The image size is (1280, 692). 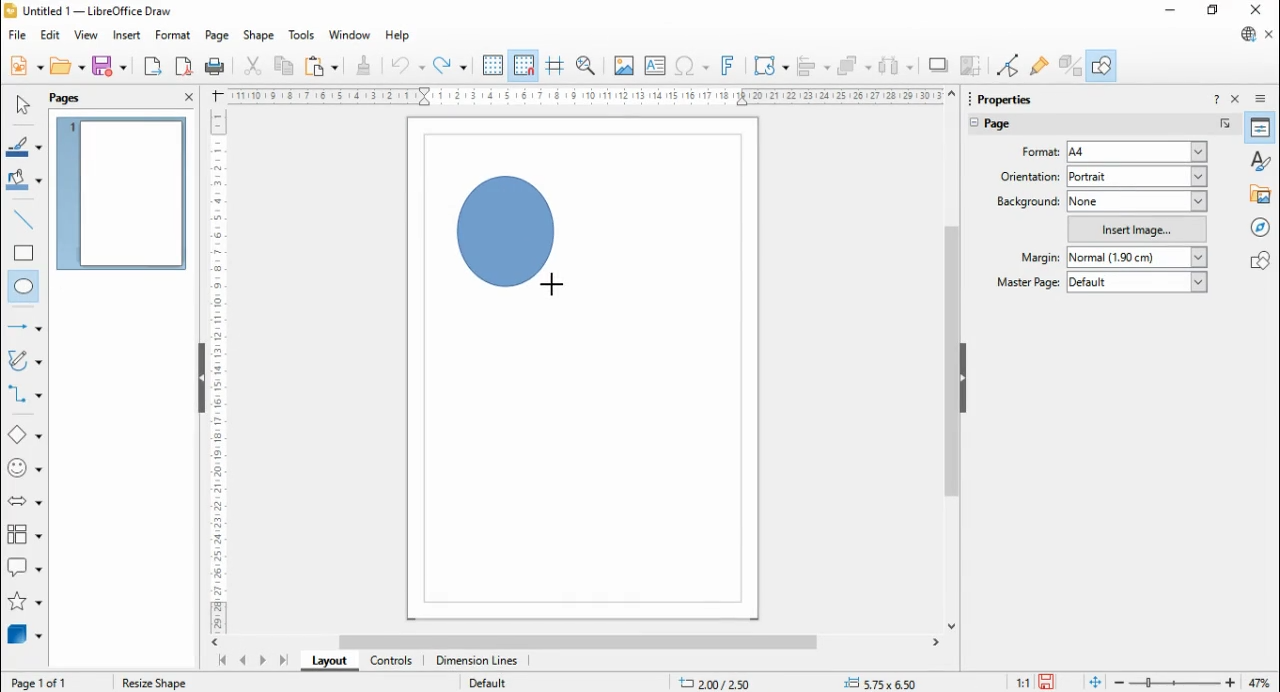 I want to click on align  objects, so click(x=813, y=66).